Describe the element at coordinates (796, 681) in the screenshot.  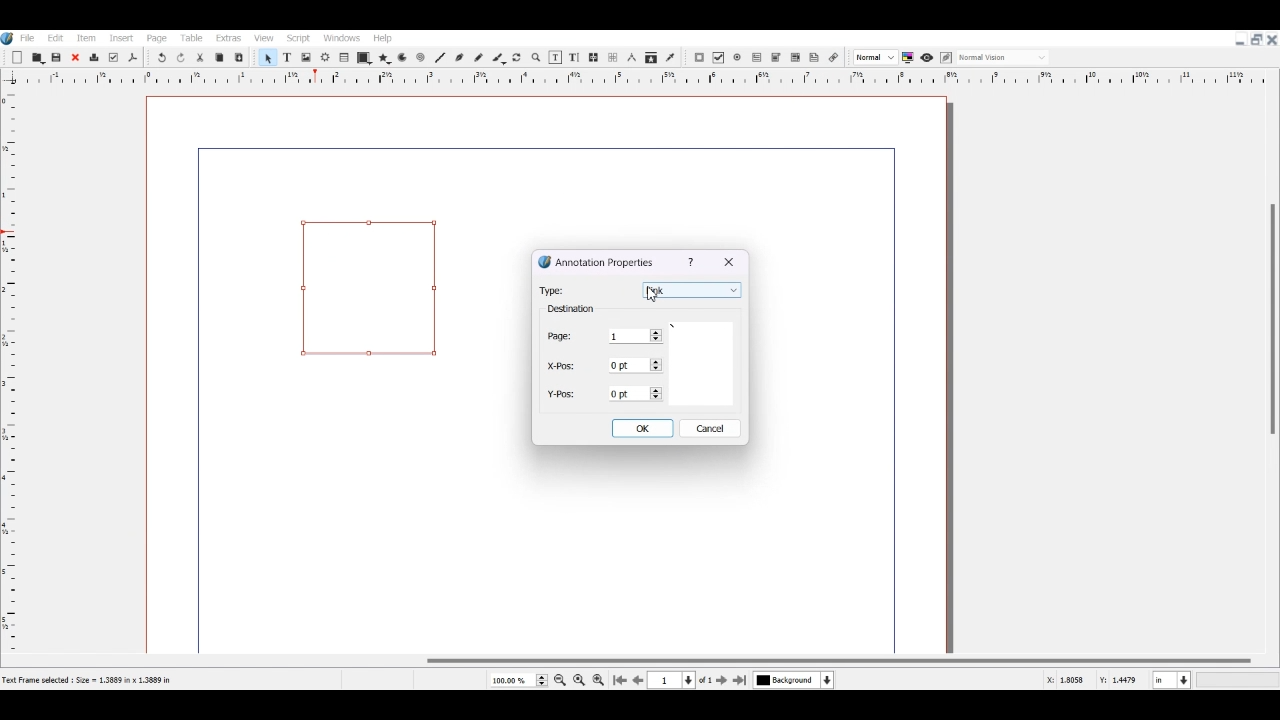
I see `Select current Layer` at that location.